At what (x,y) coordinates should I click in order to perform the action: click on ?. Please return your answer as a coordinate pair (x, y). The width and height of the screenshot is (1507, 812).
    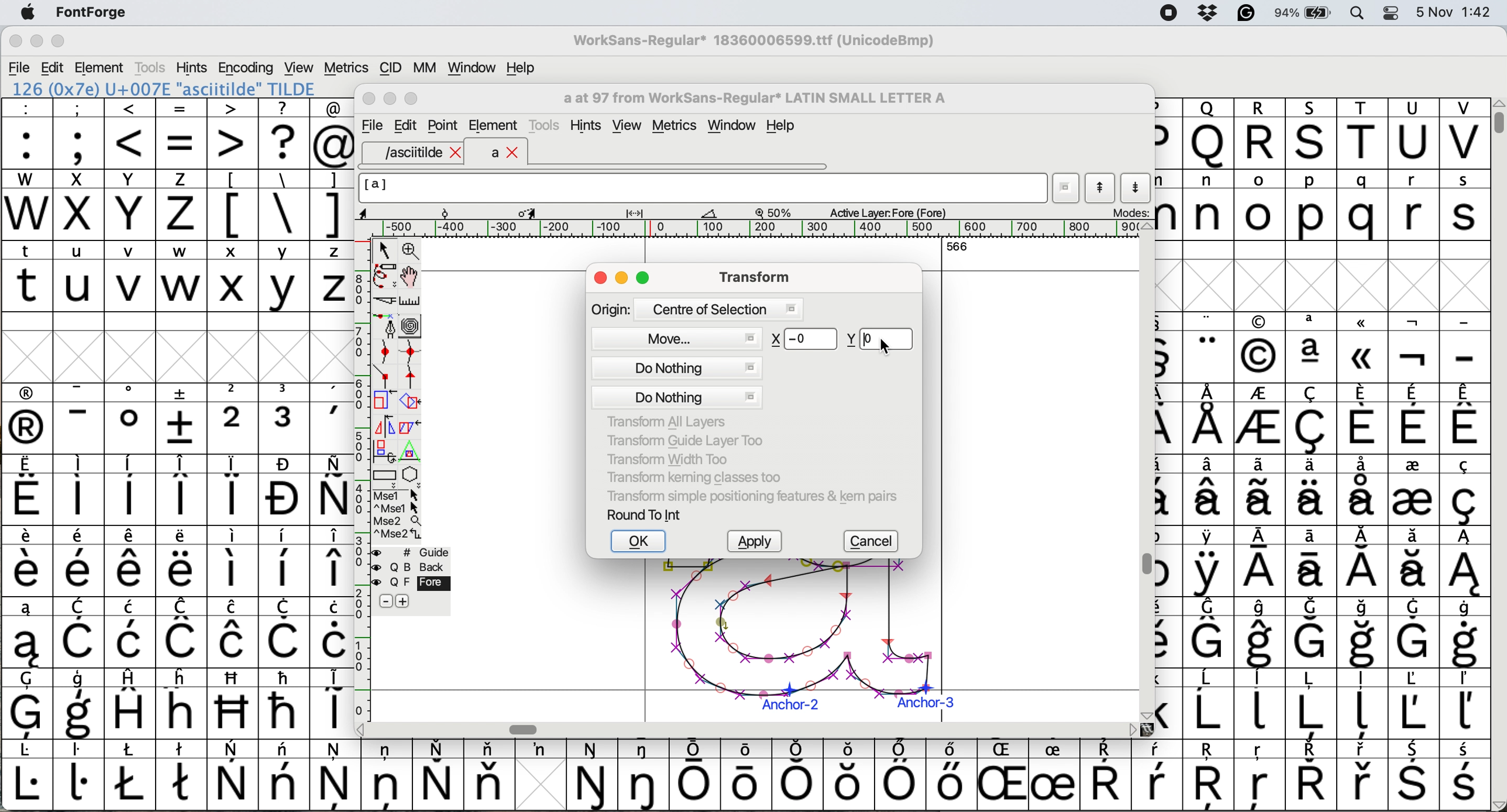
    Looking at the image, I should click on (284, 133).